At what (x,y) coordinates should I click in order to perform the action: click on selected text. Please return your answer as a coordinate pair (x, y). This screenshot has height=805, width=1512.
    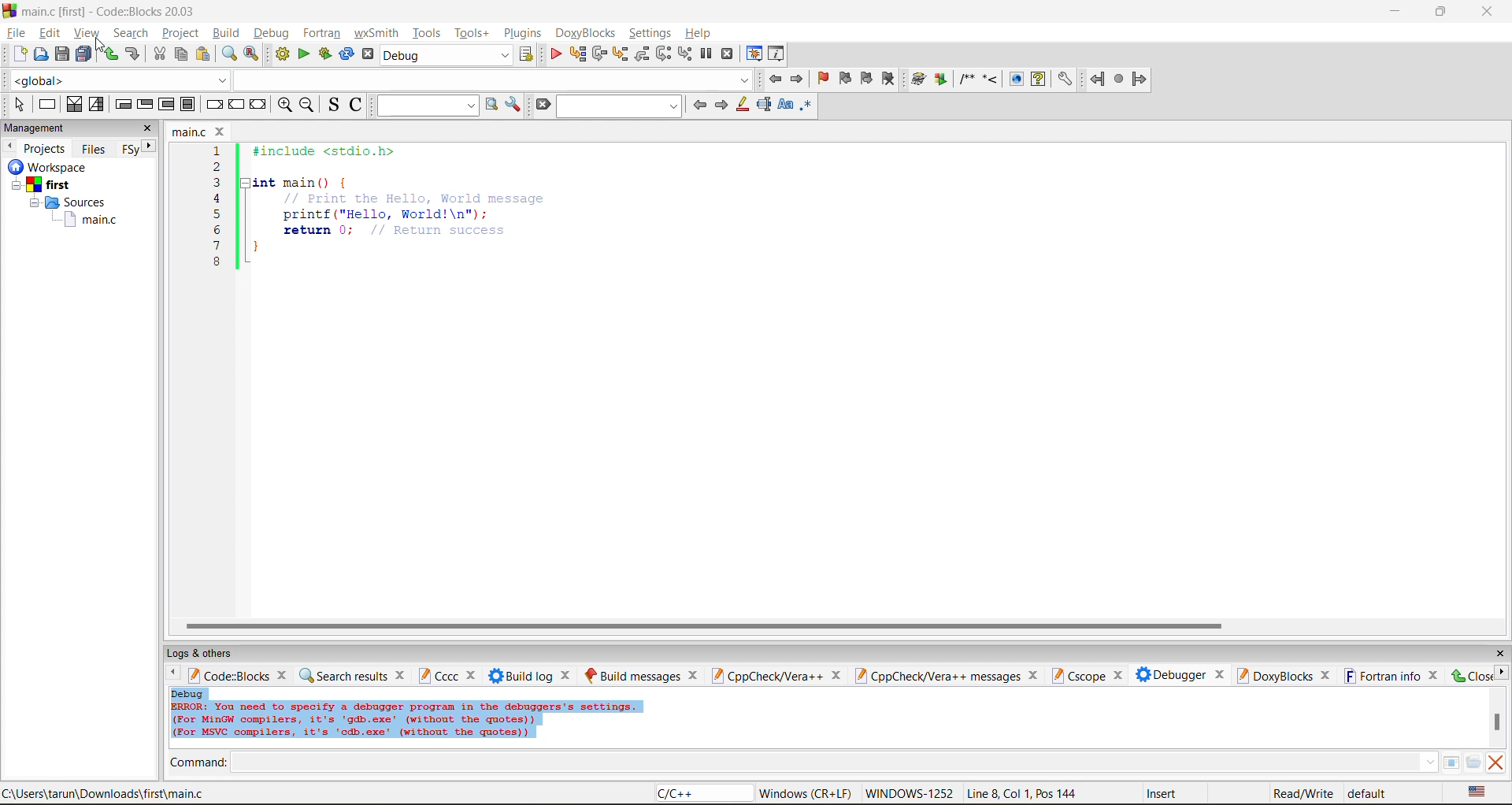
    Looking at the image, I should click on (764, 104).